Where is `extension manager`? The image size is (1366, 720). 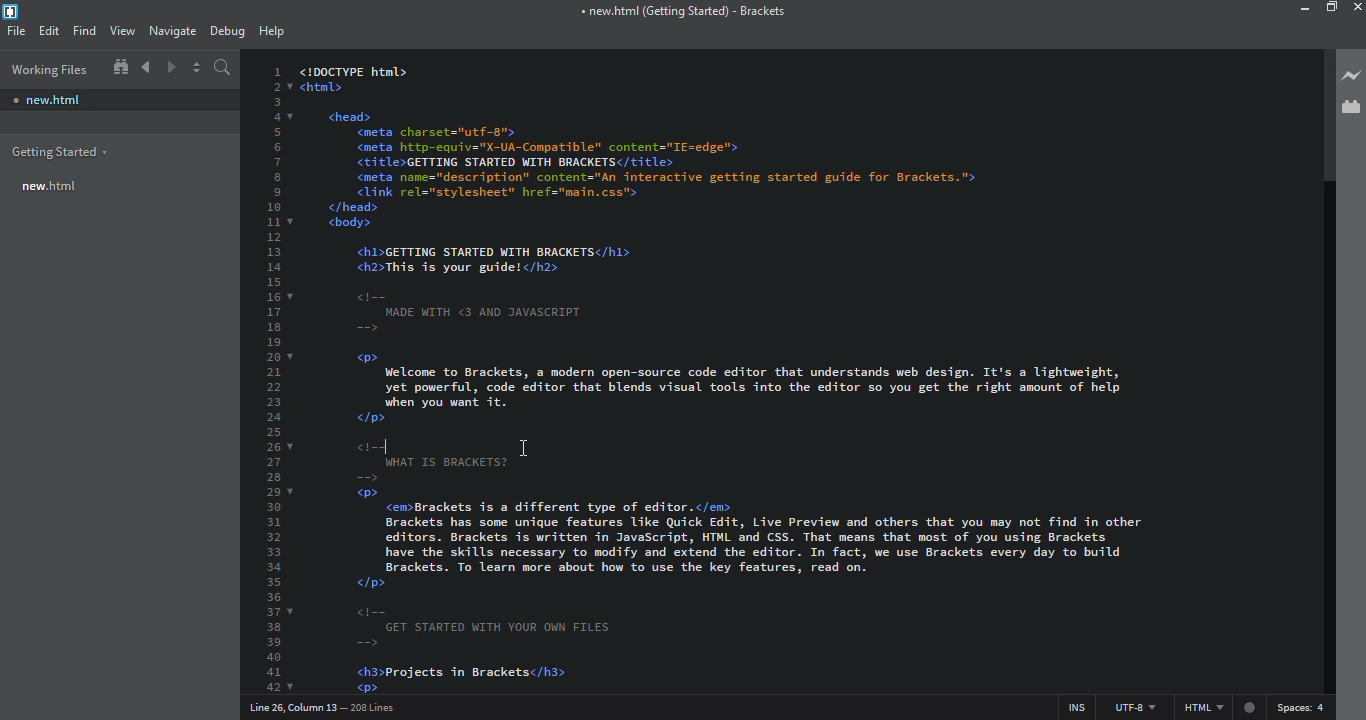 extension manager is located at coordinates (1348, 105).